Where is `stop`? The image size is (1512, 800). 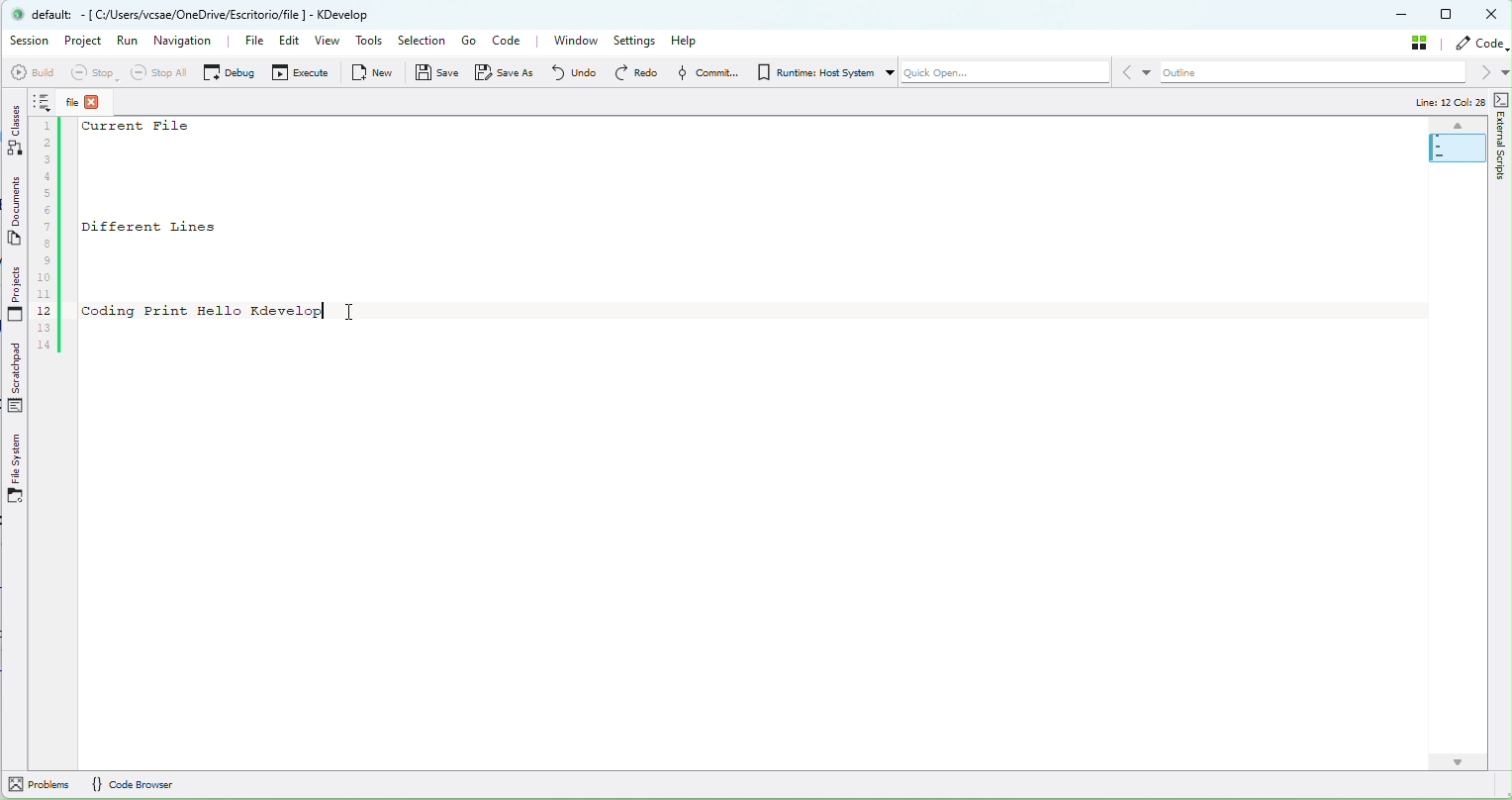 stop is located at coordinates (92, 73).